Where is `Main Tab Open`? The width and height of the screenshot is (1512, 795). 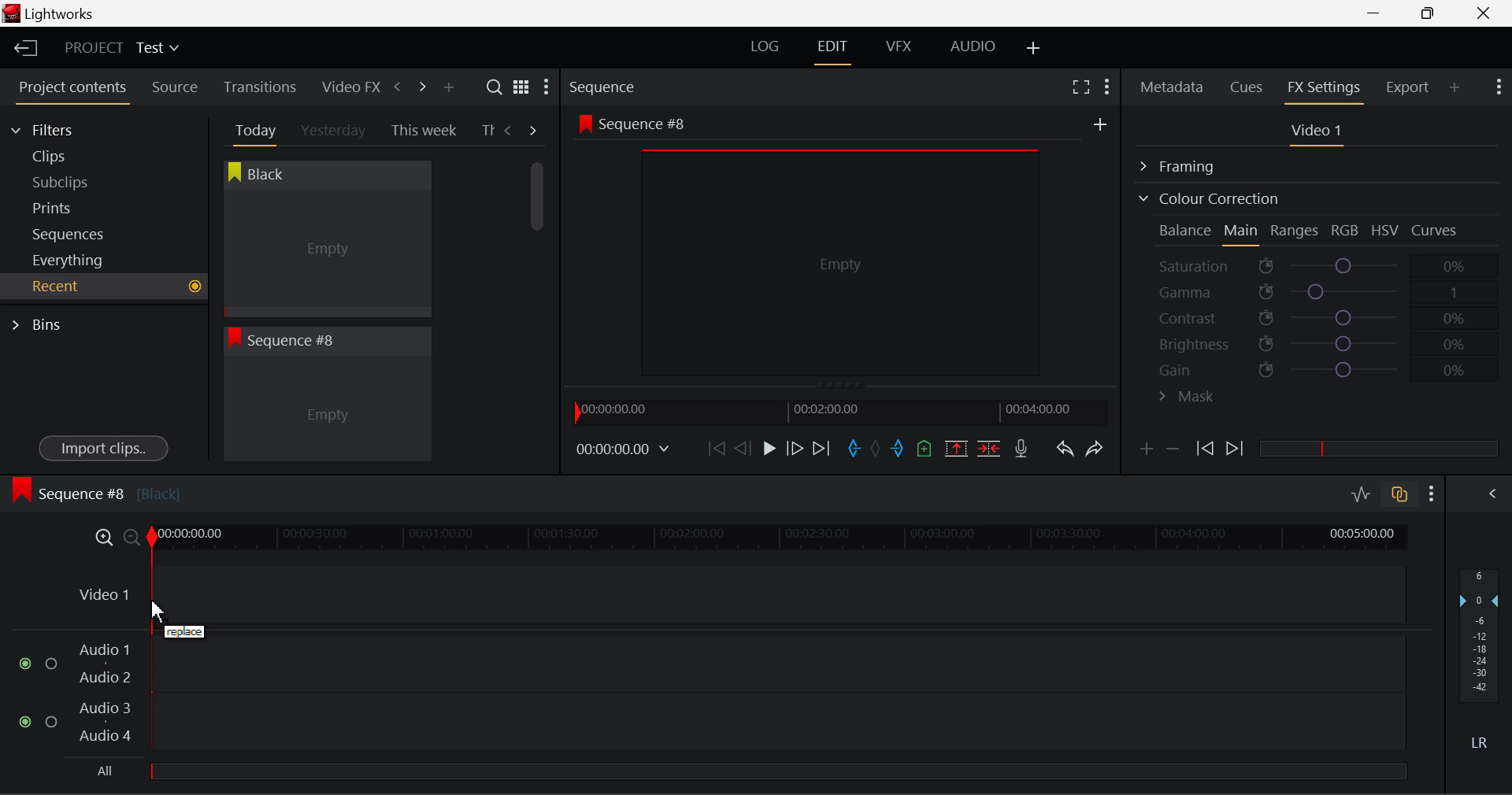
Main Tab Open is located at coordinates (1242, 232).